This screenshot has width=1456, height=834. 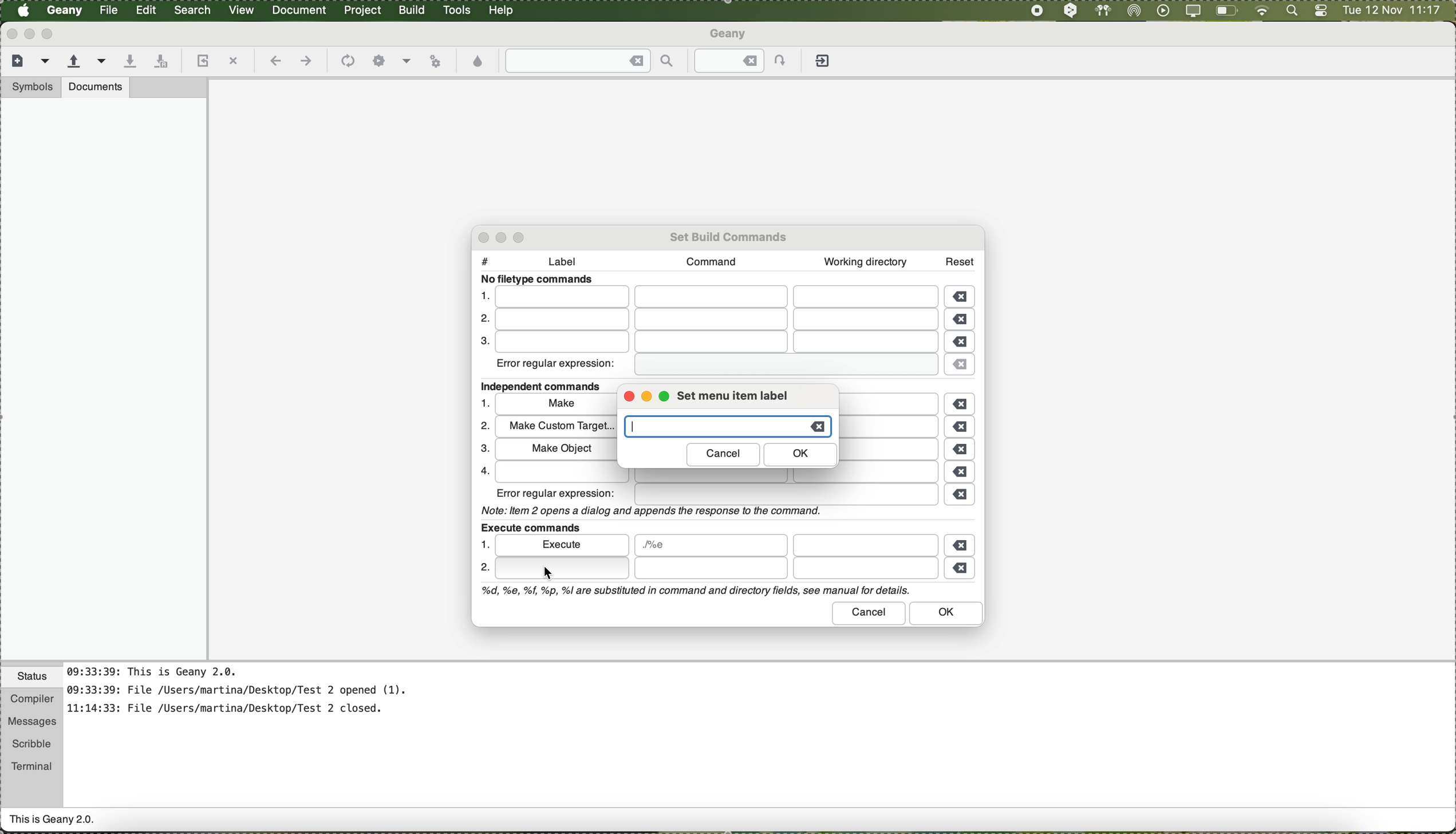 I want to click on click, so click(x=561, y=568).